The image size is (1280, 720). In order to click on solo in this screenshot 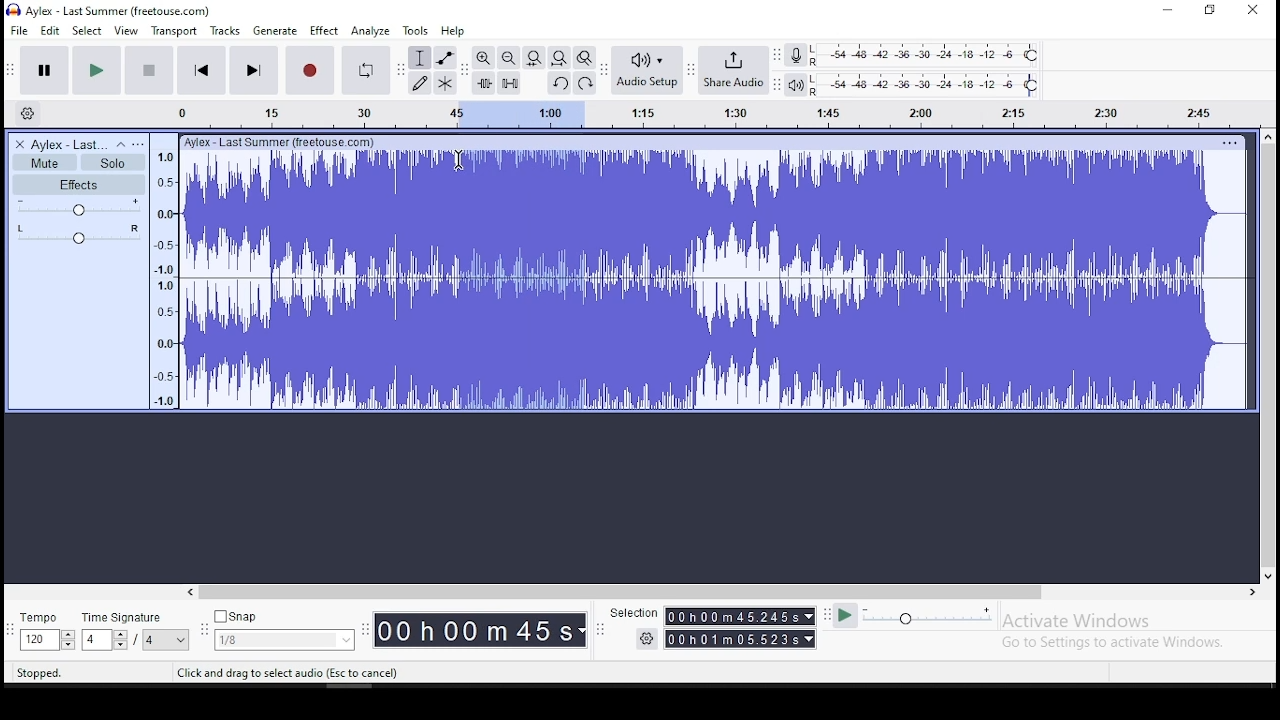, I will do `click(112, 163)`.